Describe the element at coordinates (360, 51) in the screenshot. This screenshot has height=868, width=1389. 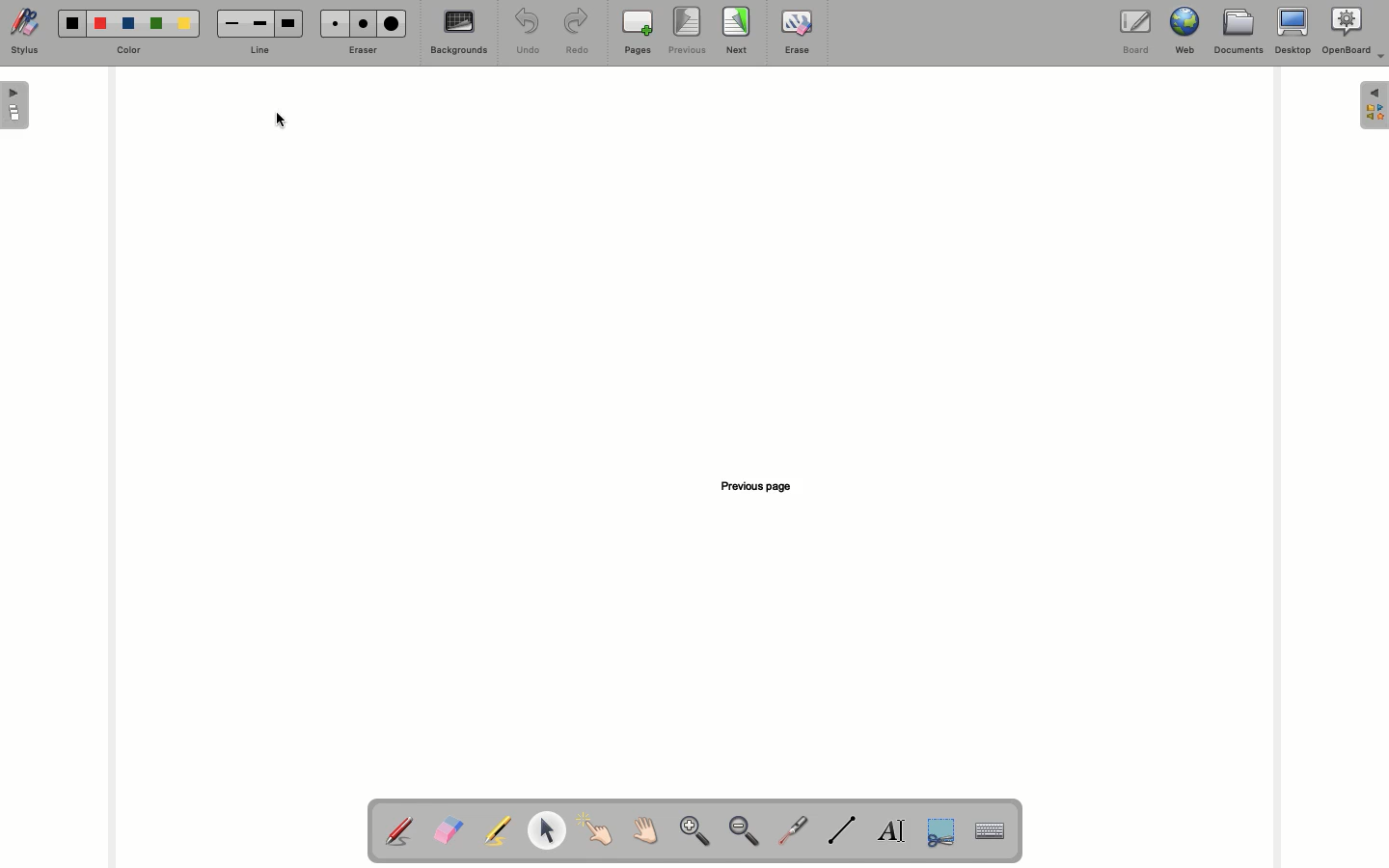
I see `Eraser` at that location.